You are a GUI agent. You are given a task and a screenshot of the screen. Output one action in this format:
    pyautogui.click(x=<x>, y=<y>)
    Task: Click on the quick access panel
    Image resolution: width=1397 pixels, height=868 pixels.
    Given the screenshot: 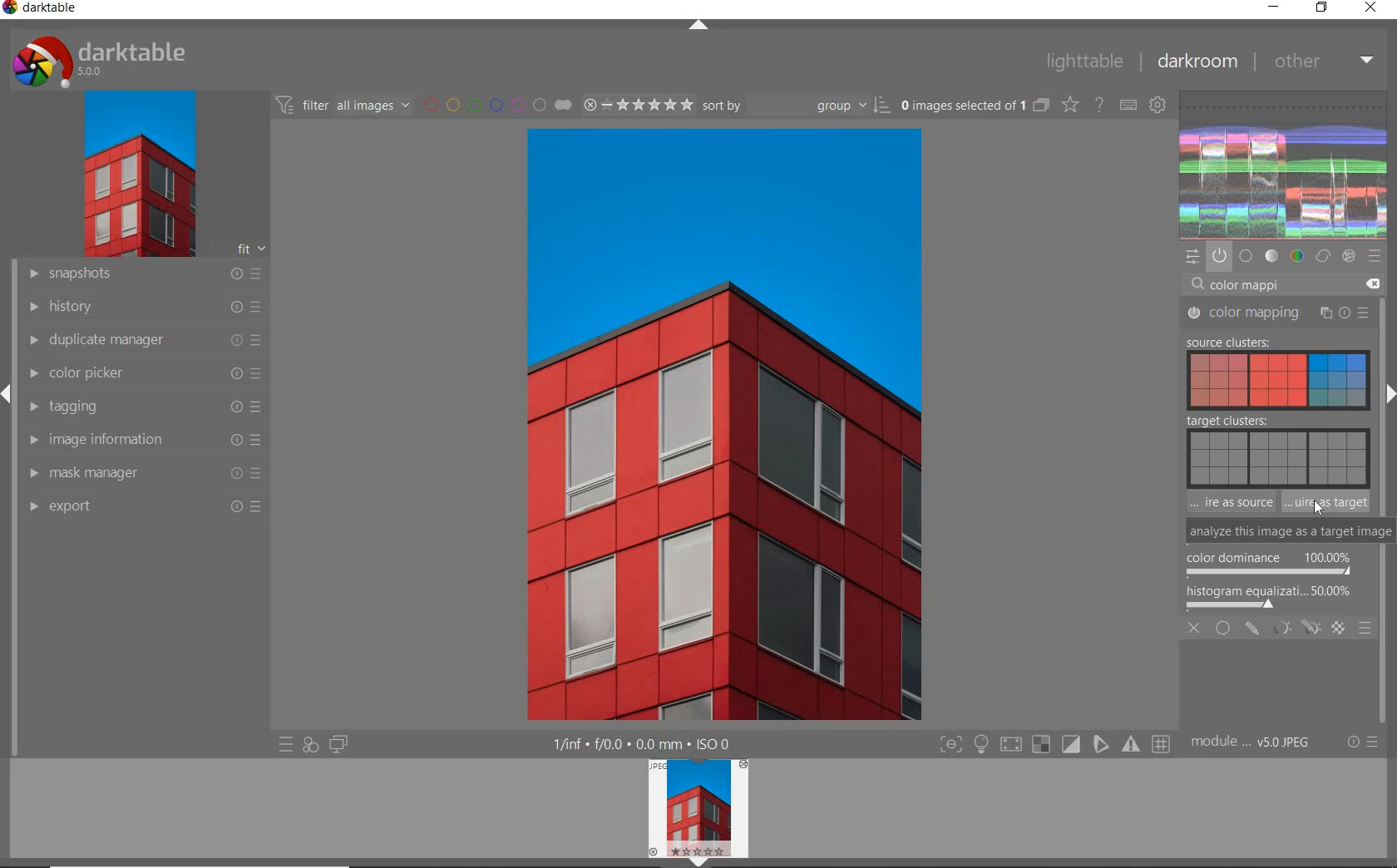 What is the action you would take?
    pyautogui.click(x=1194, y=256)
    